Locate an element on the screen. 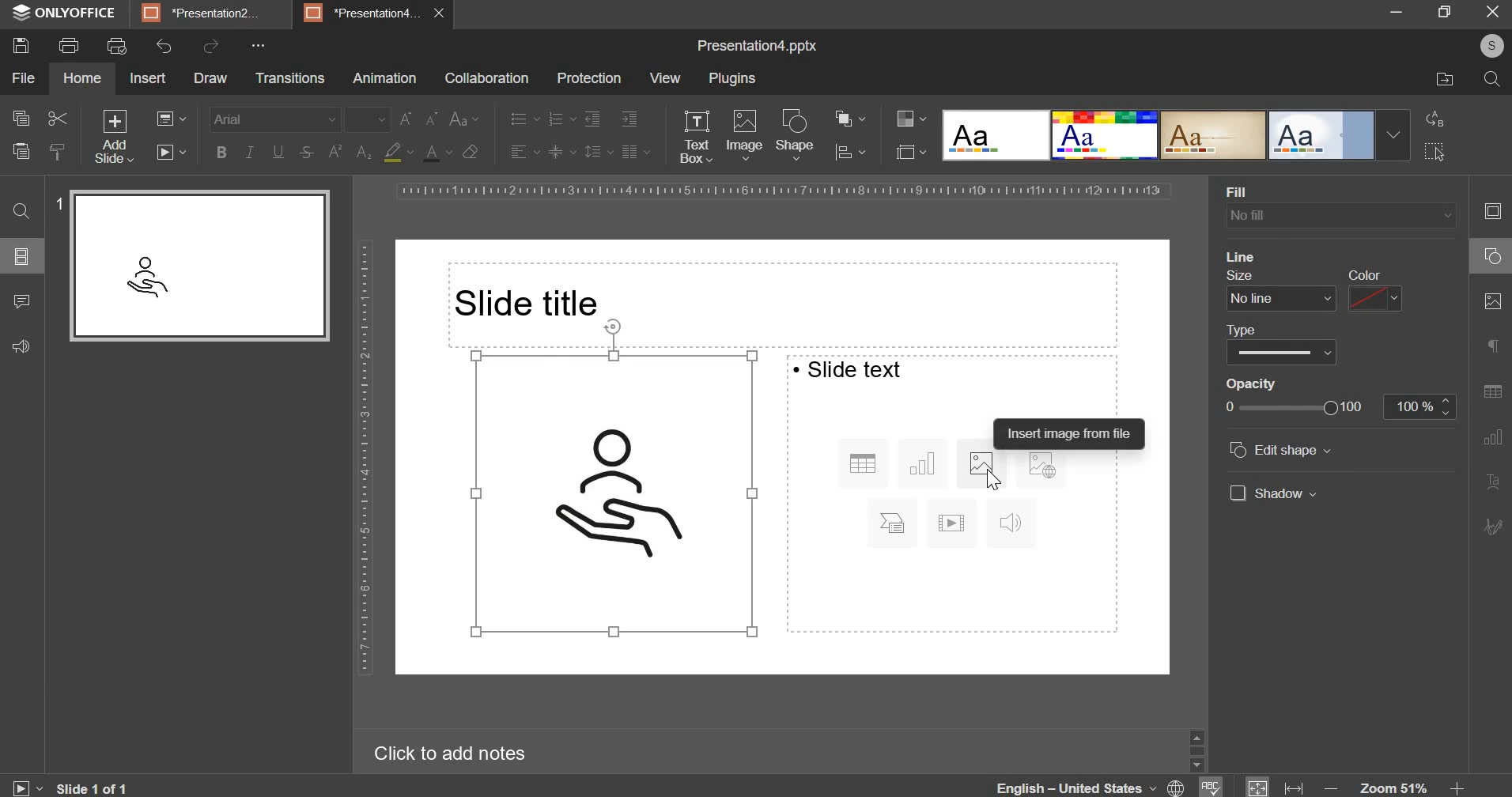 The width and height of the screenshot is (1512, 797). fit to window is located at coordinates (1258, 788).